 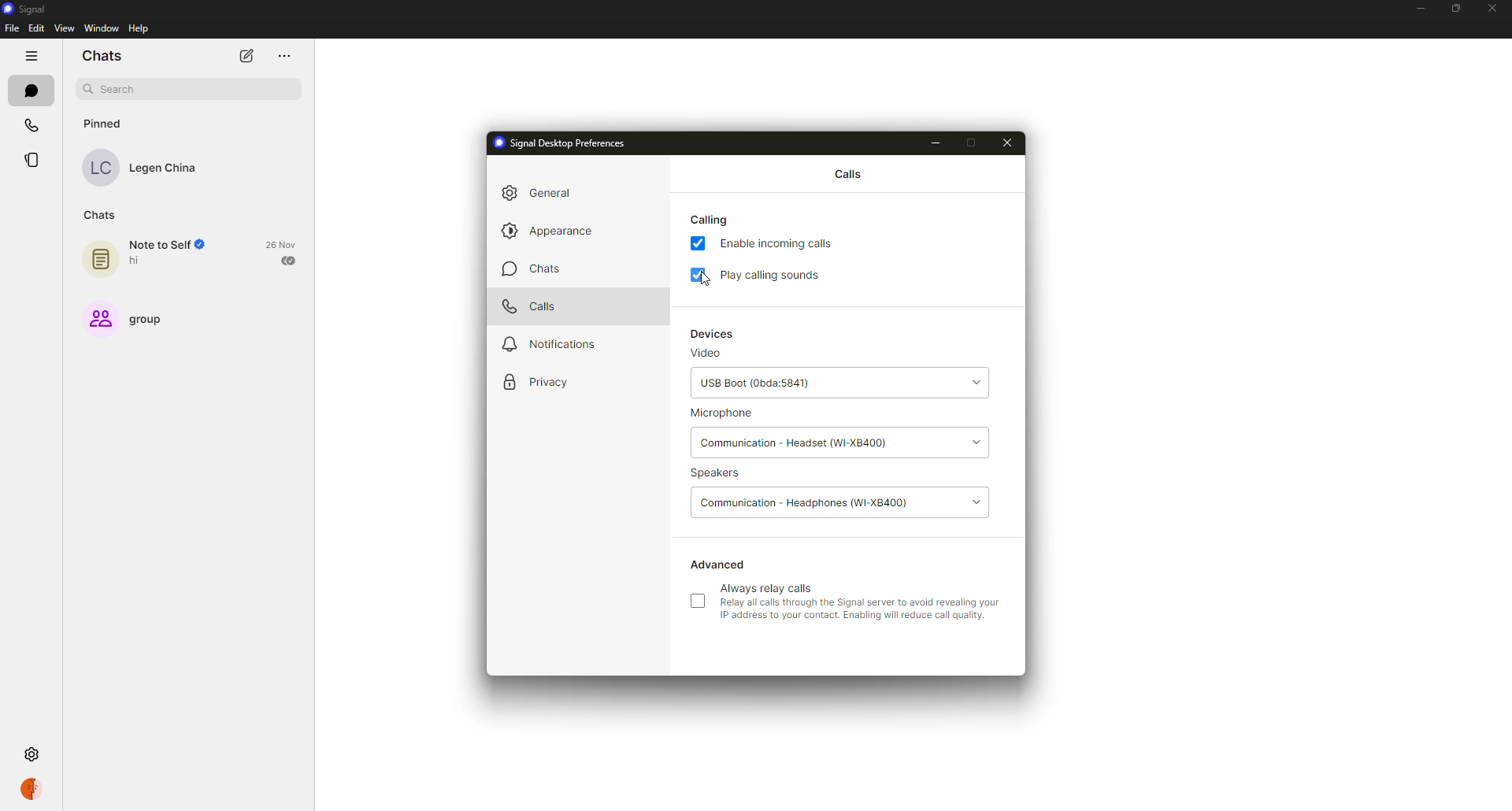 What do you see at coordinates (707, 353) in the screenshot?
I see `video` at bounding box center [707, 353].